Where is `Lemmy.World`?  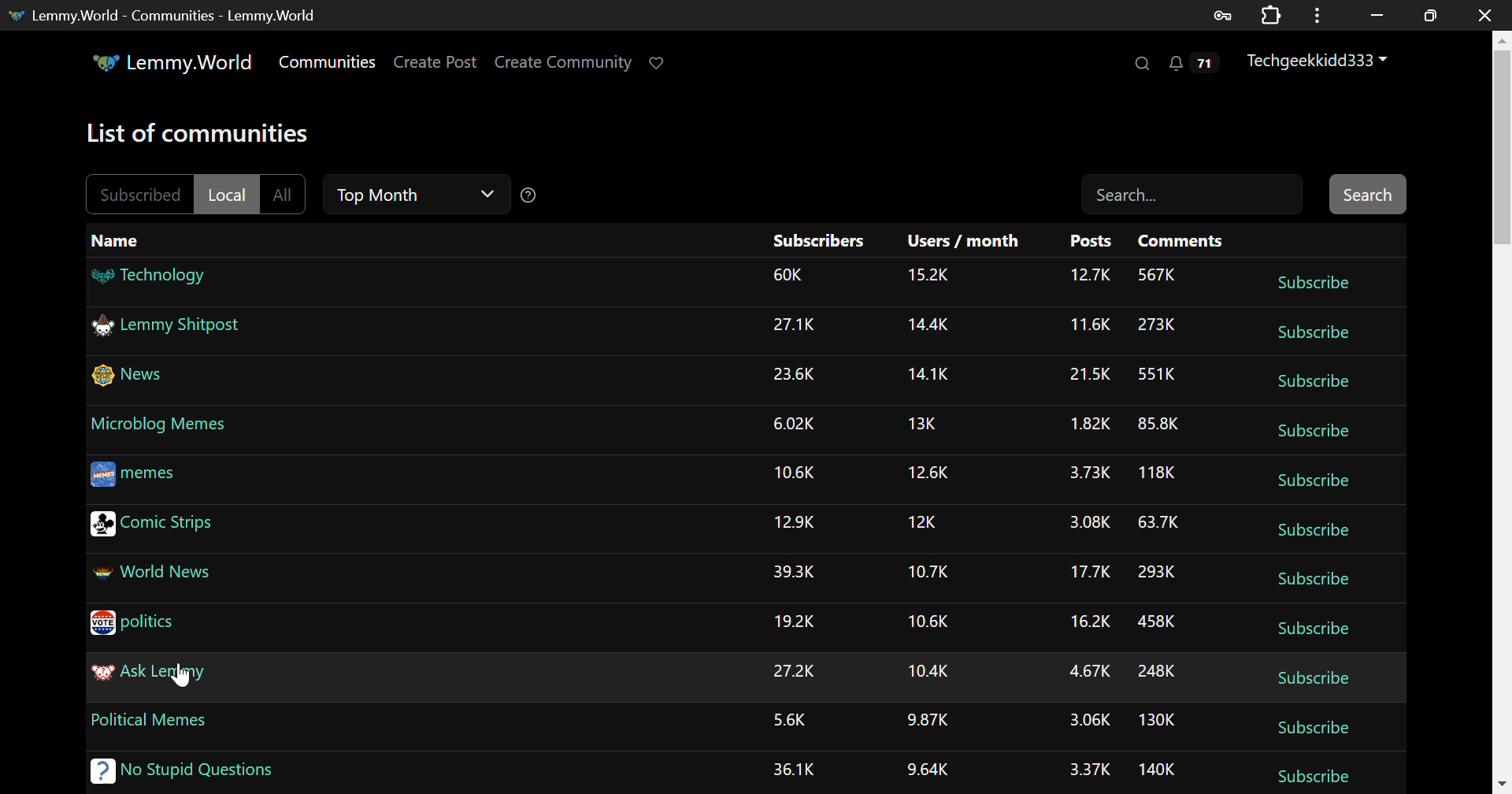 Lemmy.World is located at coordinates (173, 62).